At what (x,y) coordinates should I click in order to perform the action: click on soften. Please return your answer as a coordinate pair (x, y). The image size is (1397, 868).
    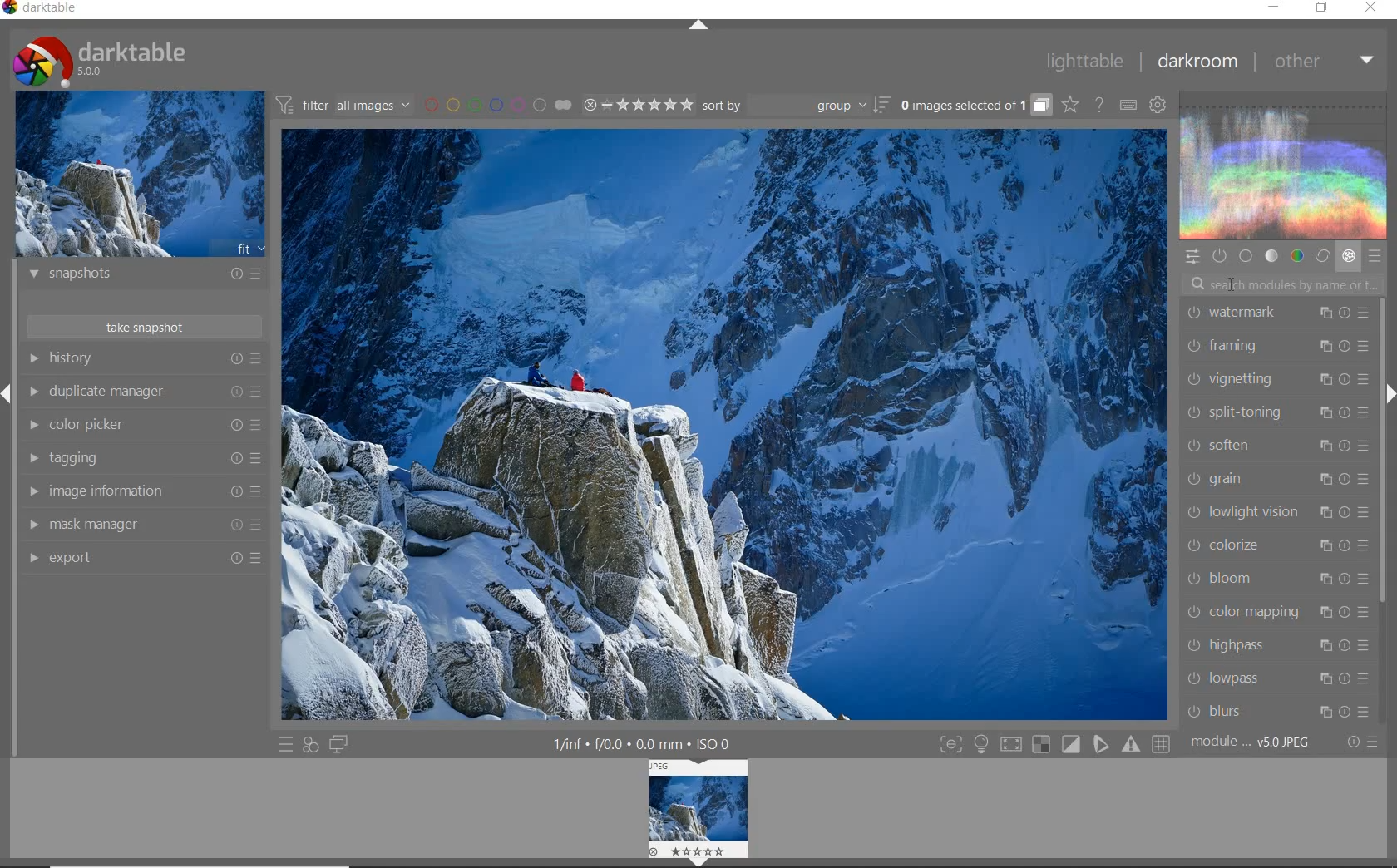
    Looking at the image, I should click on (1276, 446).